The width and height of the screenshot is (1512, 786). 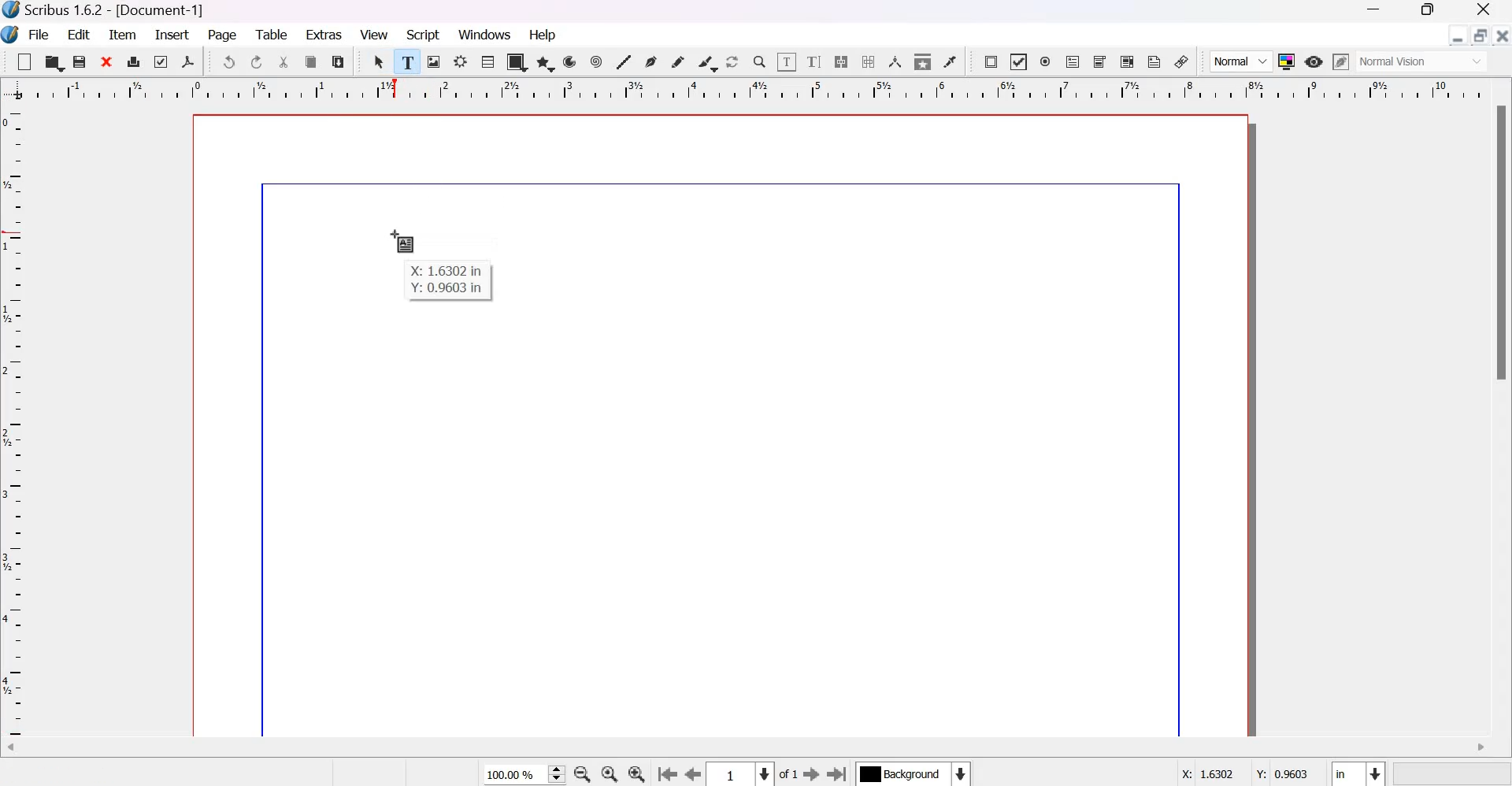 I want to click on , so click(x=759, y=61).